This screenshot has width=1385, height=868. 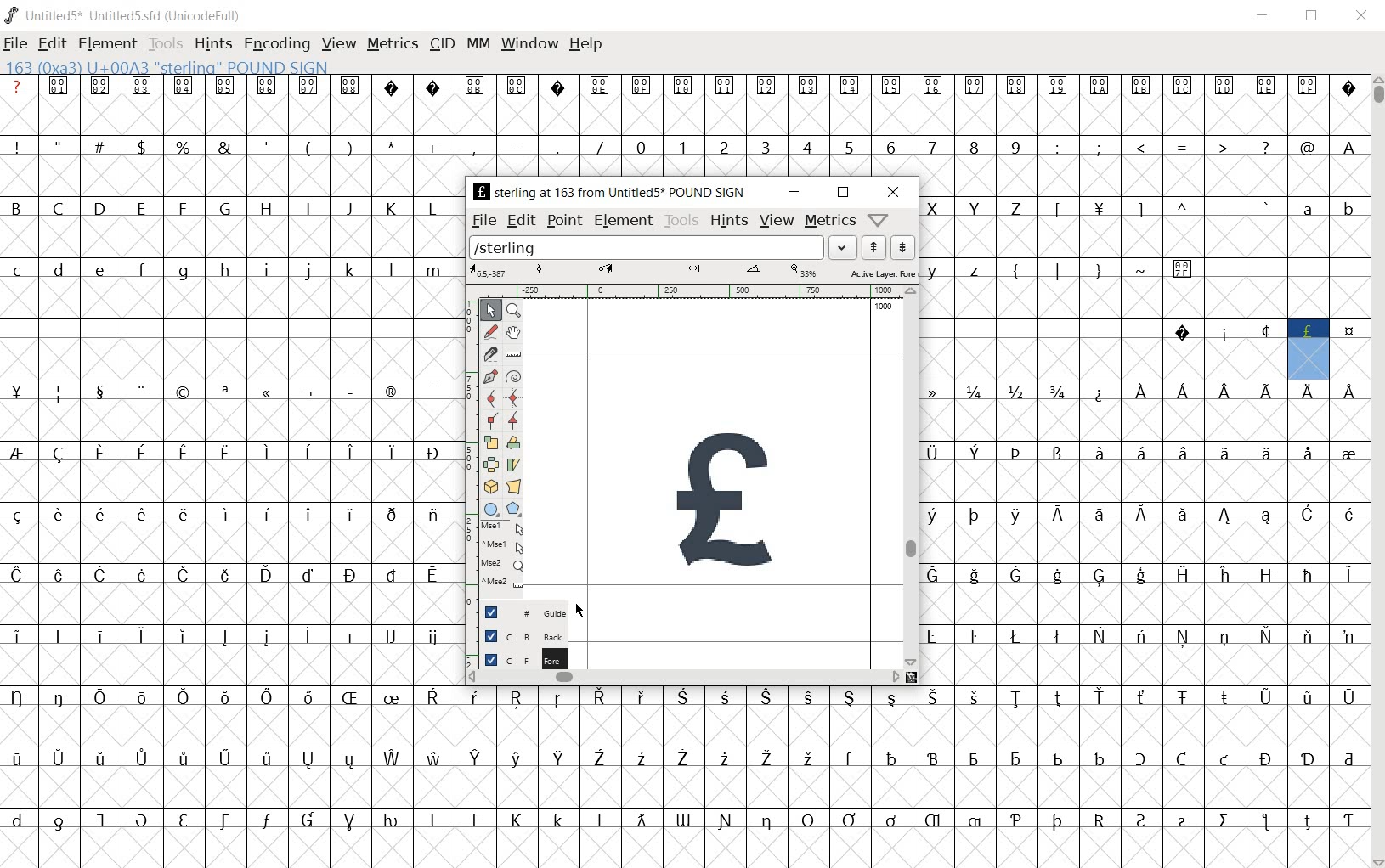 I want to click on Tools, so click(x=166, y=45).